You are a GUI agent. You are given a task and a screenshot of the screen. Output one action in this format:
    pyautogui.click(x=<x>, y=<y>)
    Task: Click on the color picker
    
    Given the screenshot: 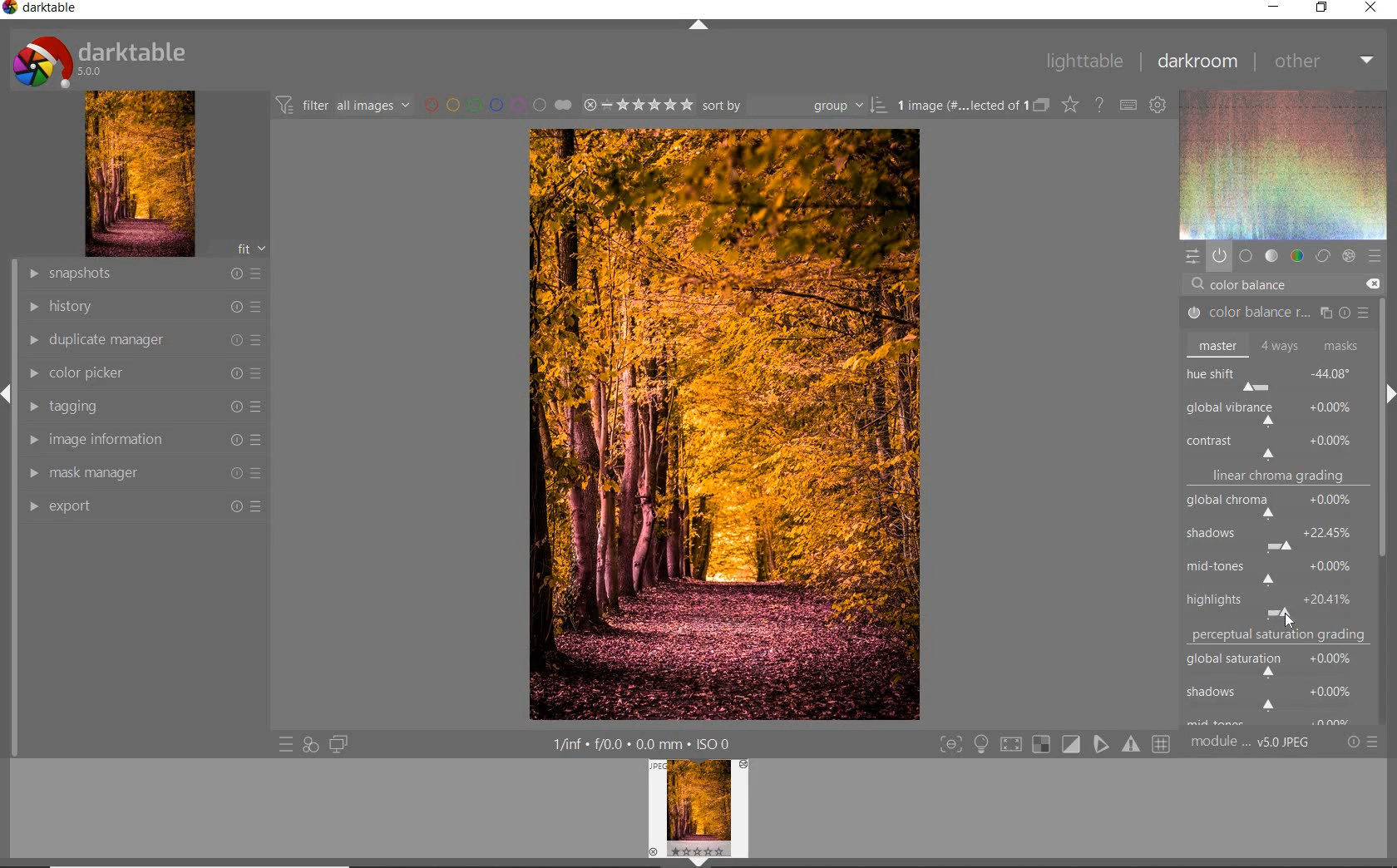 What is the action you would take?
    pyautogui.click(x=144, y=374)
    